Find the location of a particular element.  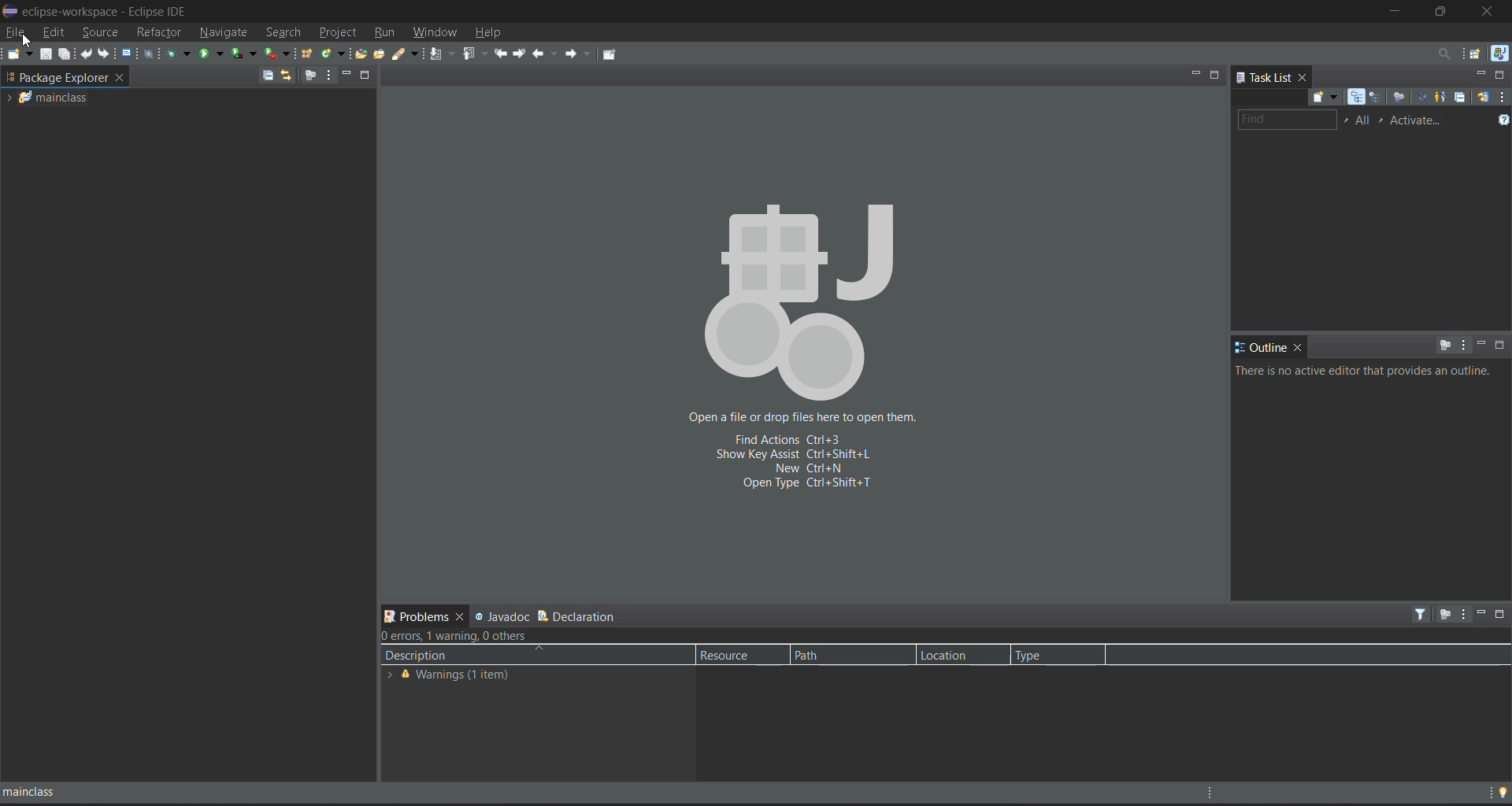

close is located at coordinates (120, 76).